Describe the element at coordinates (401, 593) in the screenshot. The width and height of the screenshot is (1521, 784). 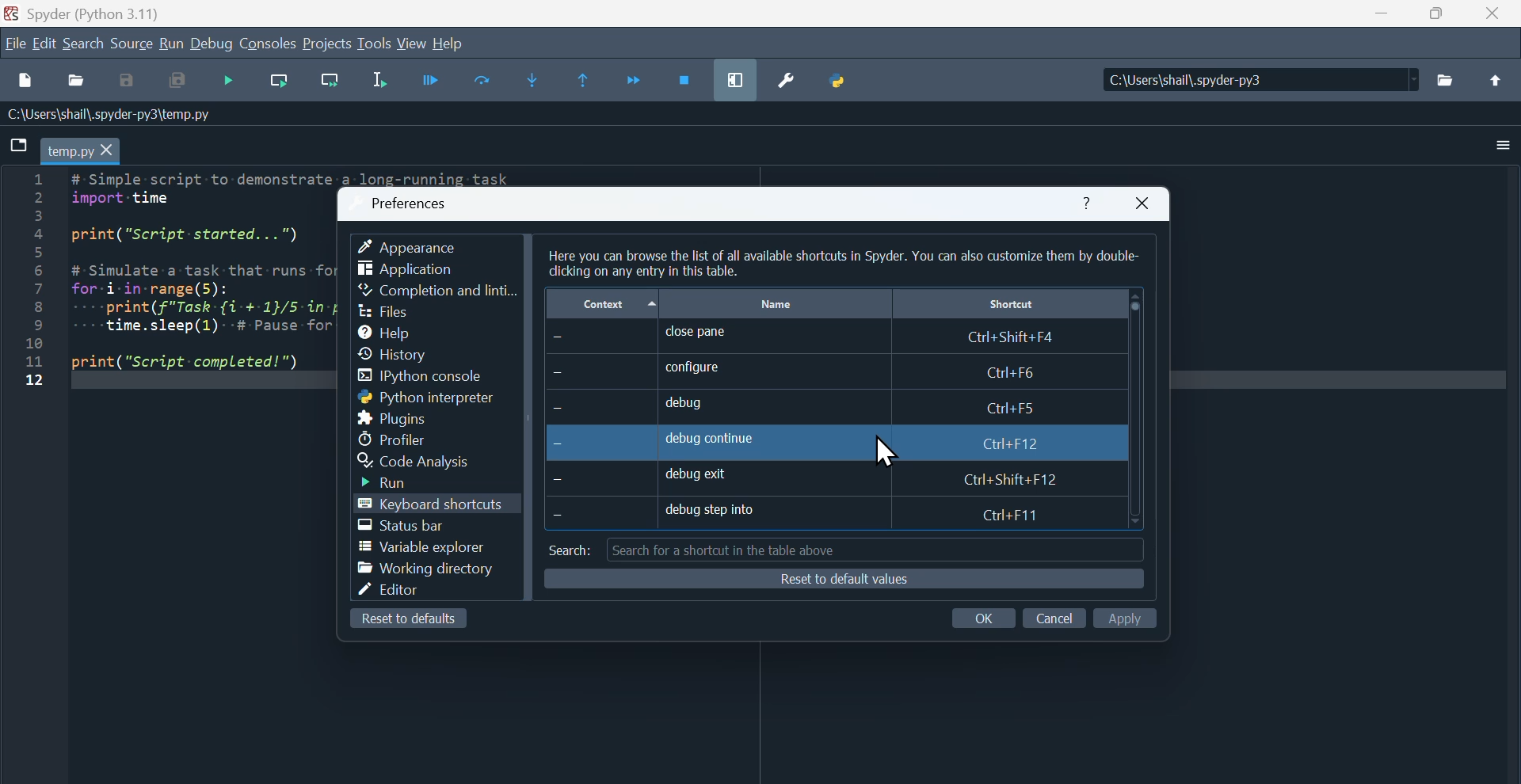
I see `Editor` at that location.